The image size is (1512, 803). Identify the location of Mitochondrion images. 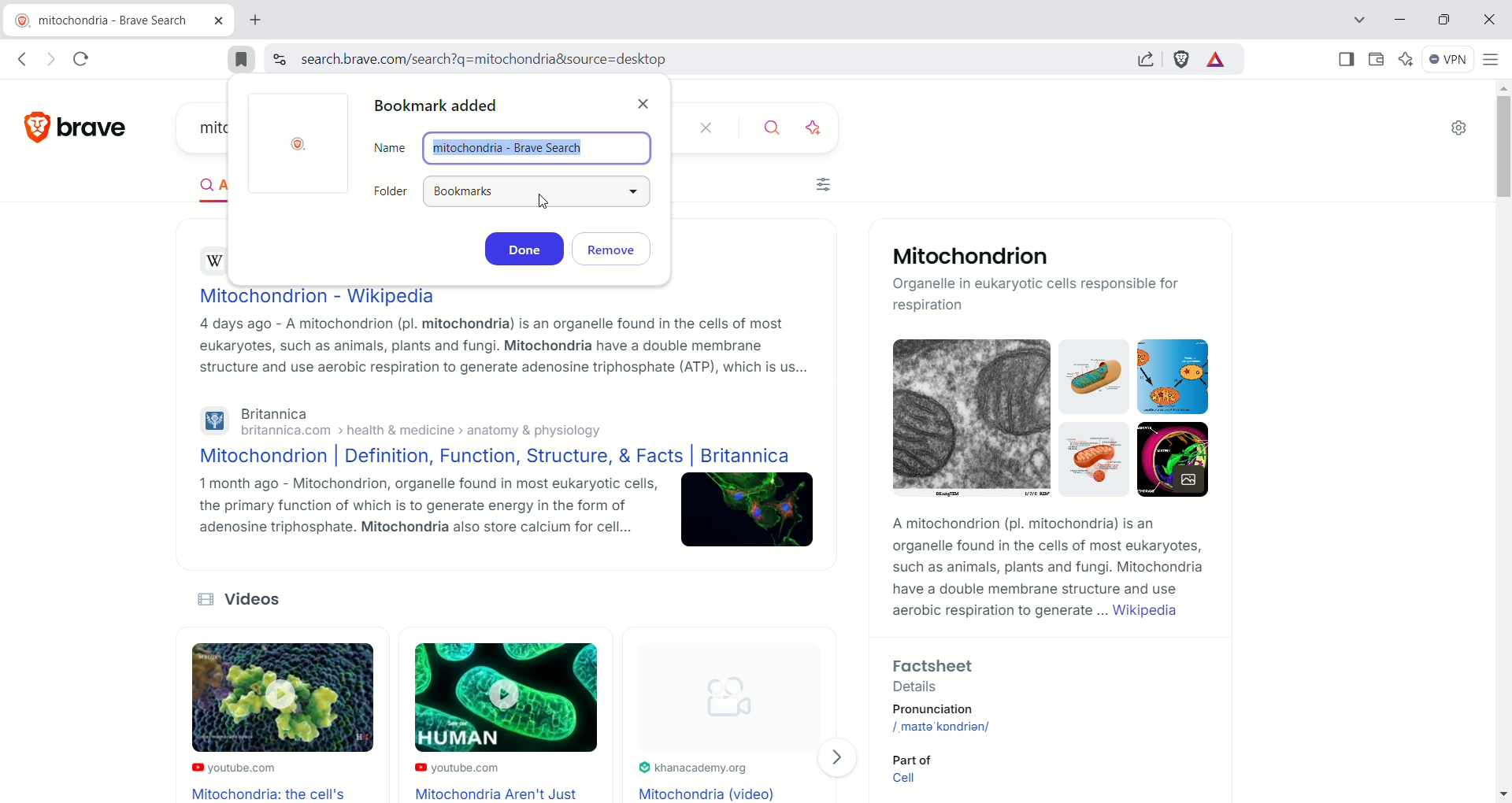
(1043, 424).